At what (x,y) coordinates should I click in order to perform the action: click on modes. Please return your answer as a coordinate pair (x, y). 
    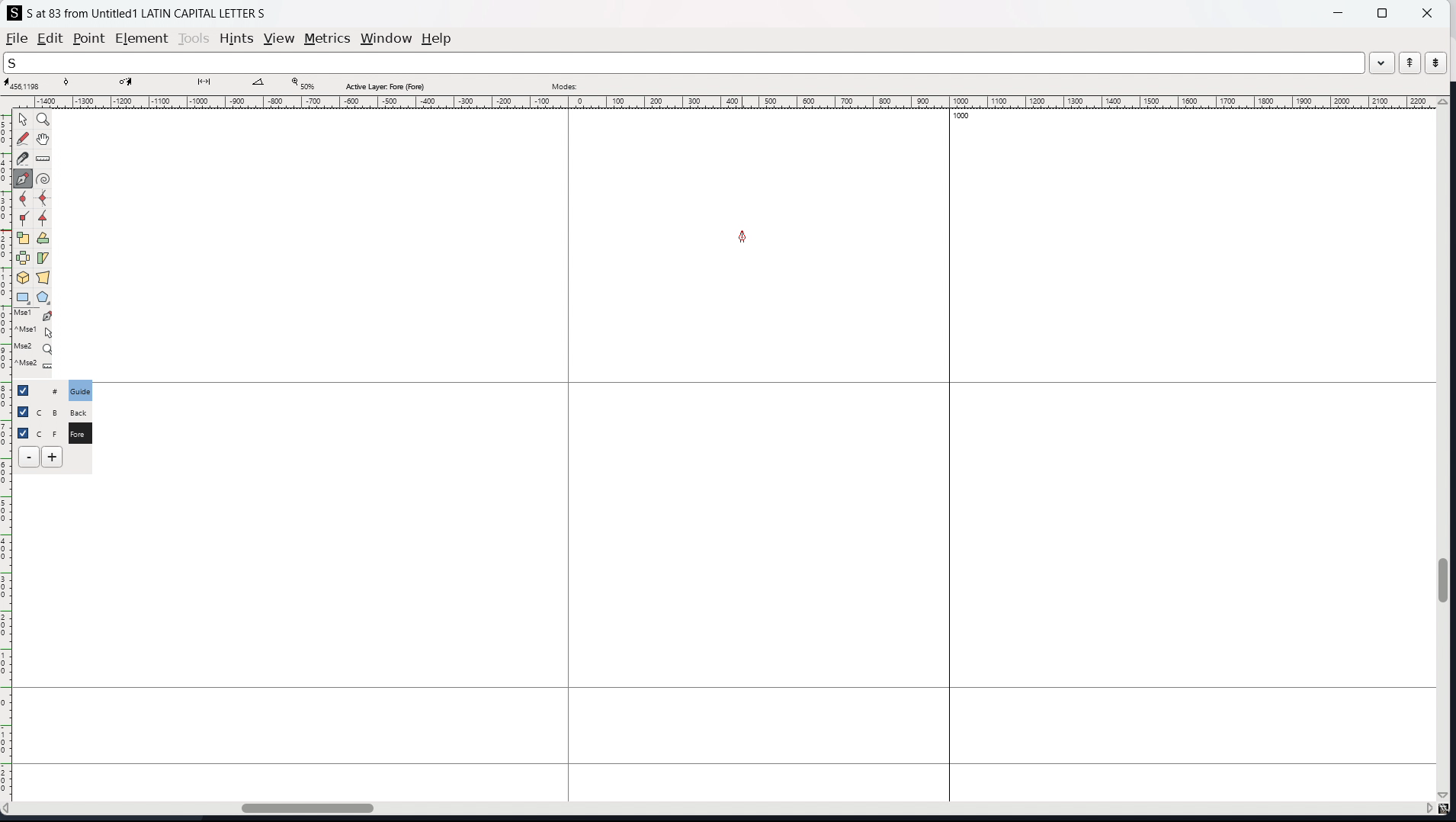
    Looking at the image, I should click on (564, 85).